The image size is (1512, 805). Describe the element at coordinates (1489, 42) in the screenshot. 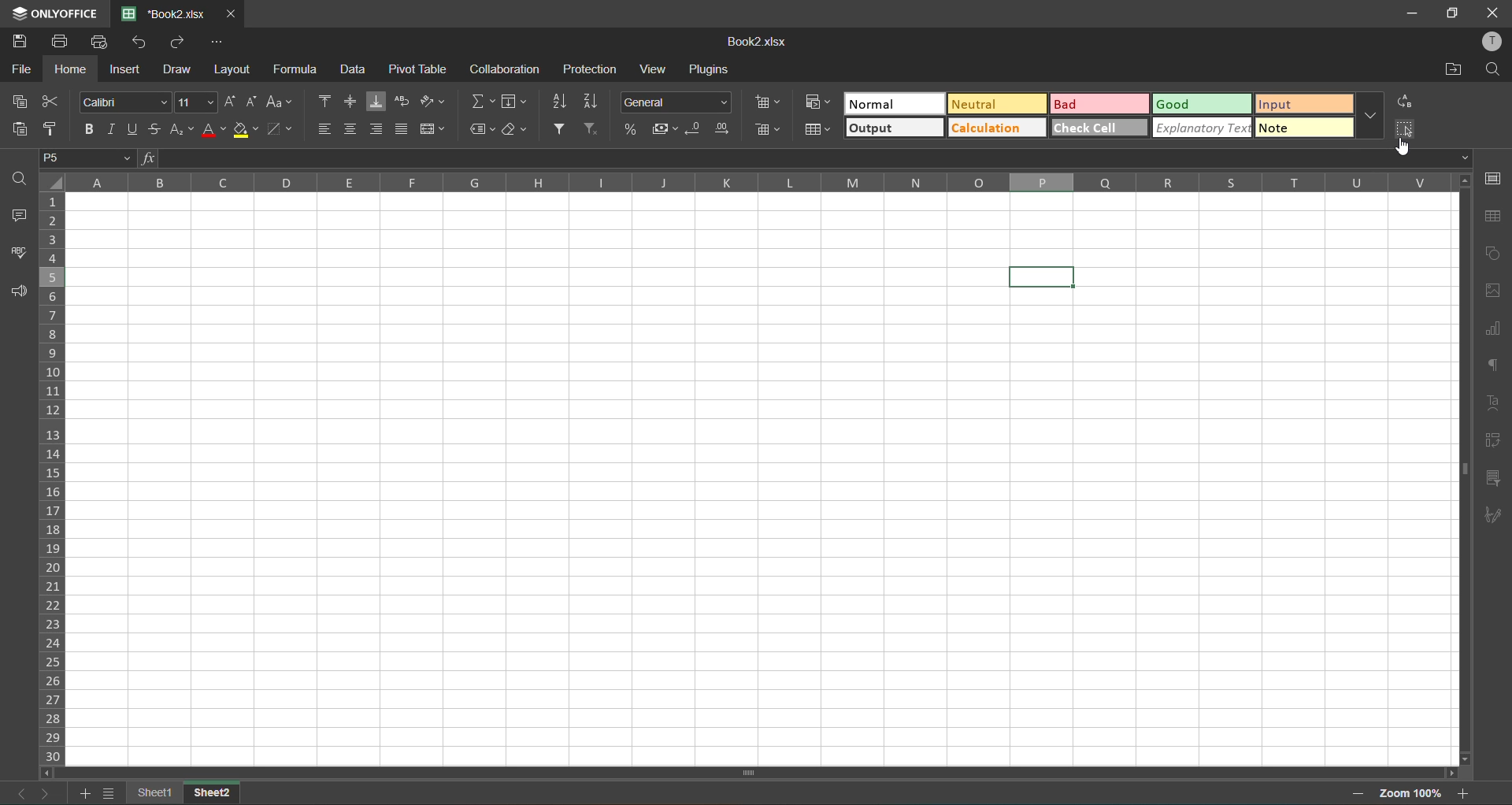

I see `profile` at that location.